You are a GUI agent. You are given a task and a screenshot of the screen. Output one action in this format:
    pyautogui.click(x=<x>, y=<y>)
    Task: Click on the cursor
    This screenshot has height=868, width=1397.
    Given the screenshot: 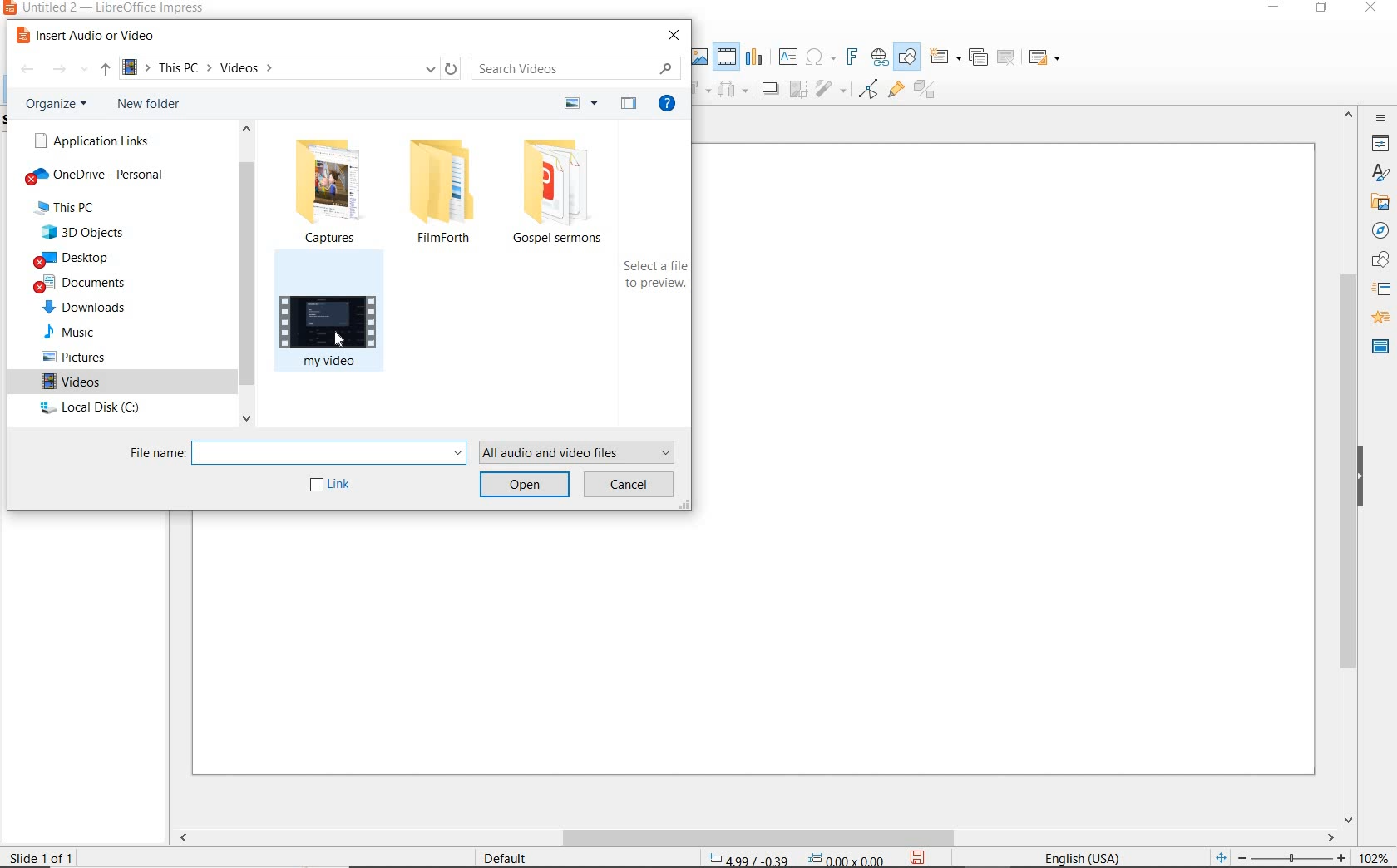 What is the action you would take?
    pyautogui.click(x=337, y=340)
    